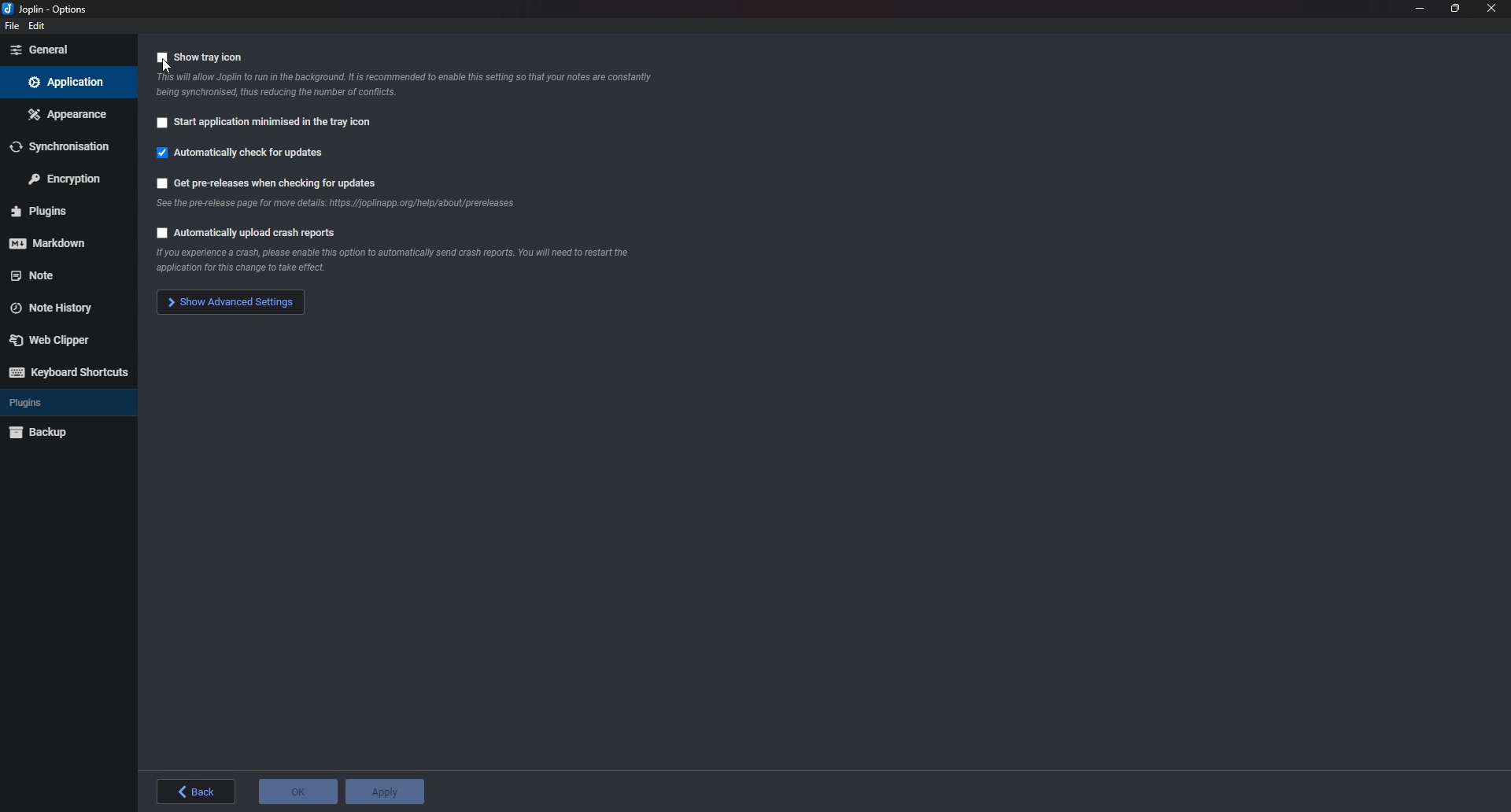 Image resolution: width=1511 pixels, height=812 pixels. What do you see at coordinates (59, 308) in the screenshot?
I see `Note history` at bounding box center [59, 308].